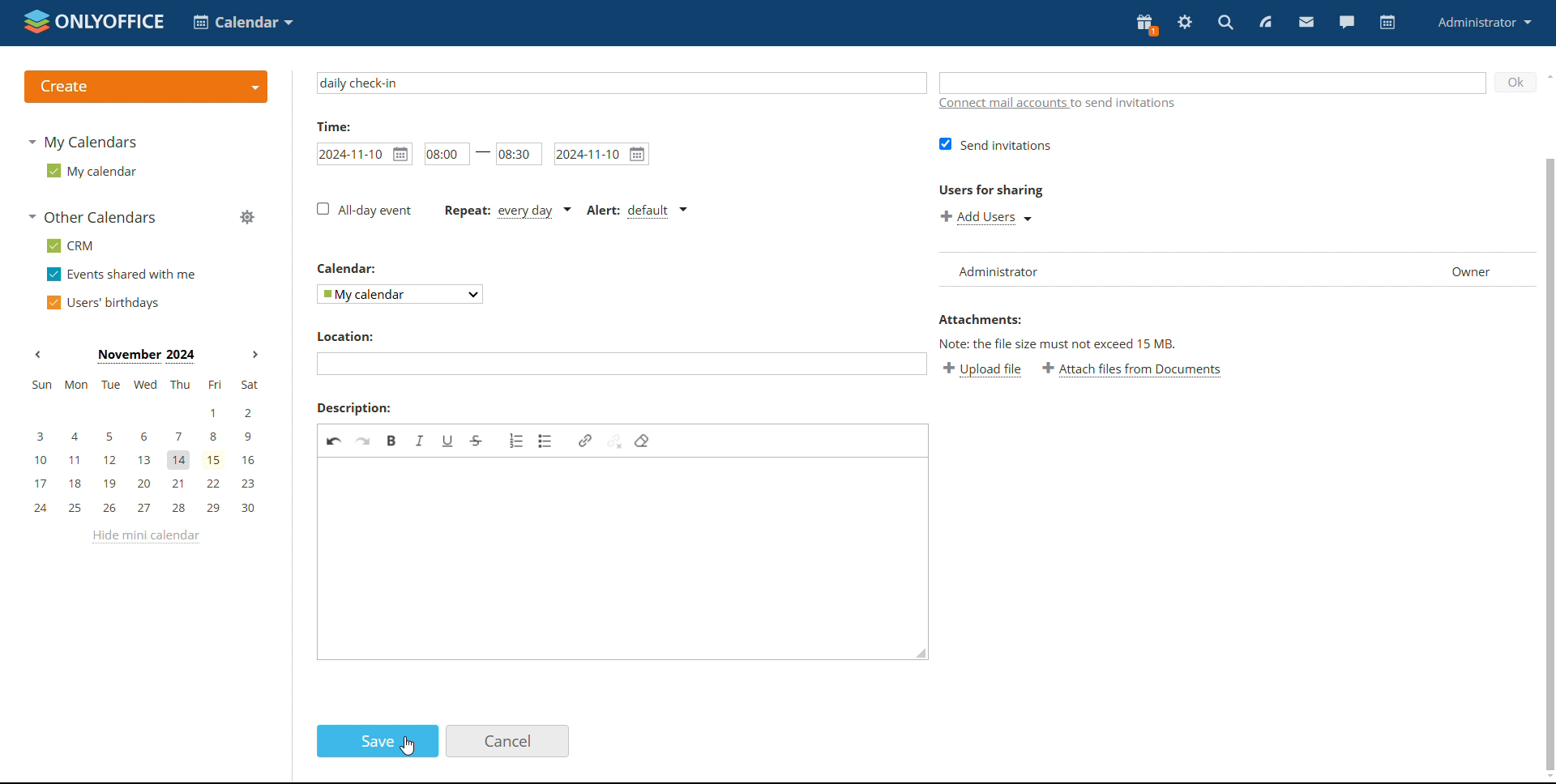 The width and height of the screenshot is (1556, 784). I want to click on add description, so click(615, 567).